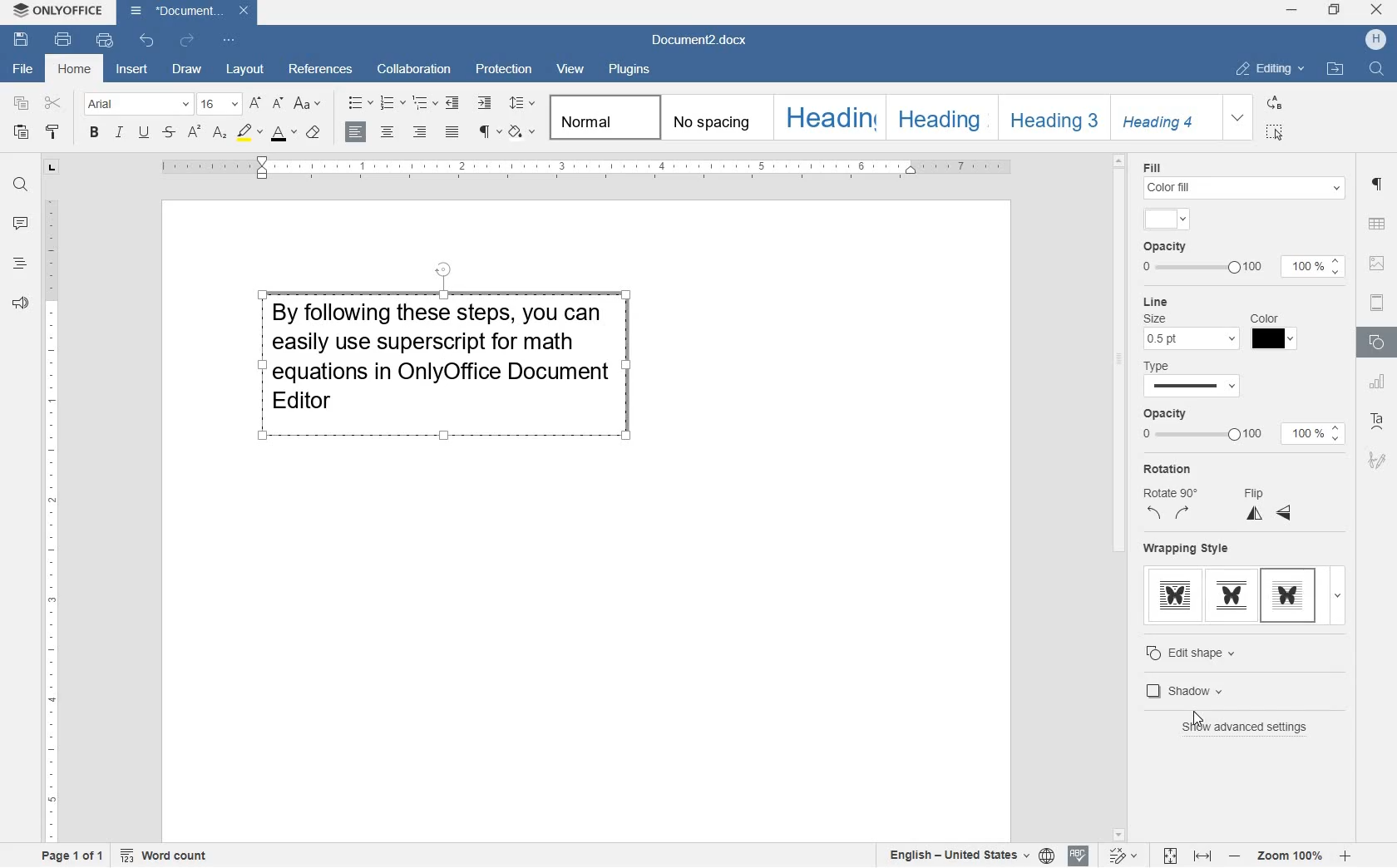  I want to click on ruler, so click(579, 170).